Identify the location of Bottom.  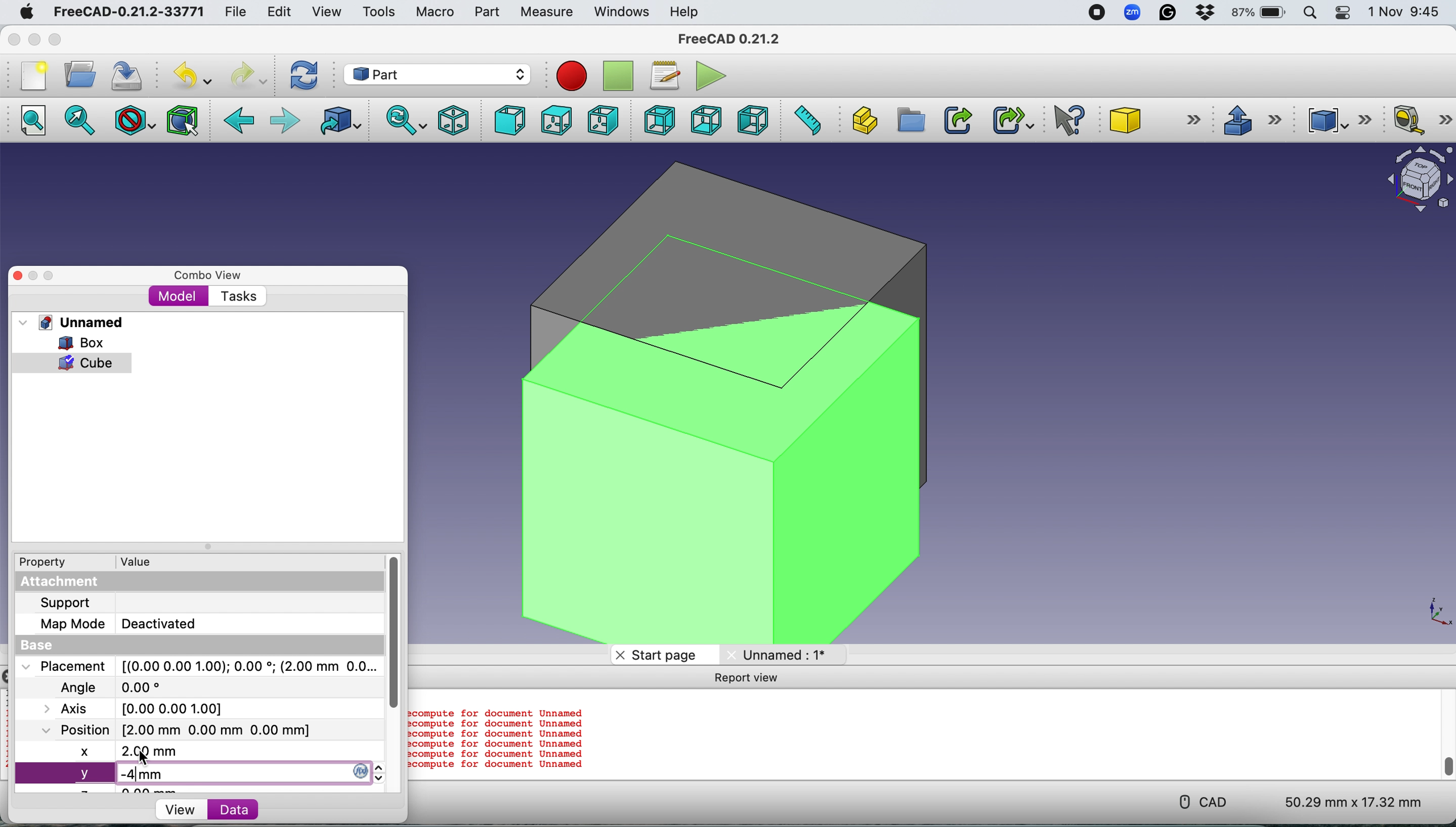
(706, 120).